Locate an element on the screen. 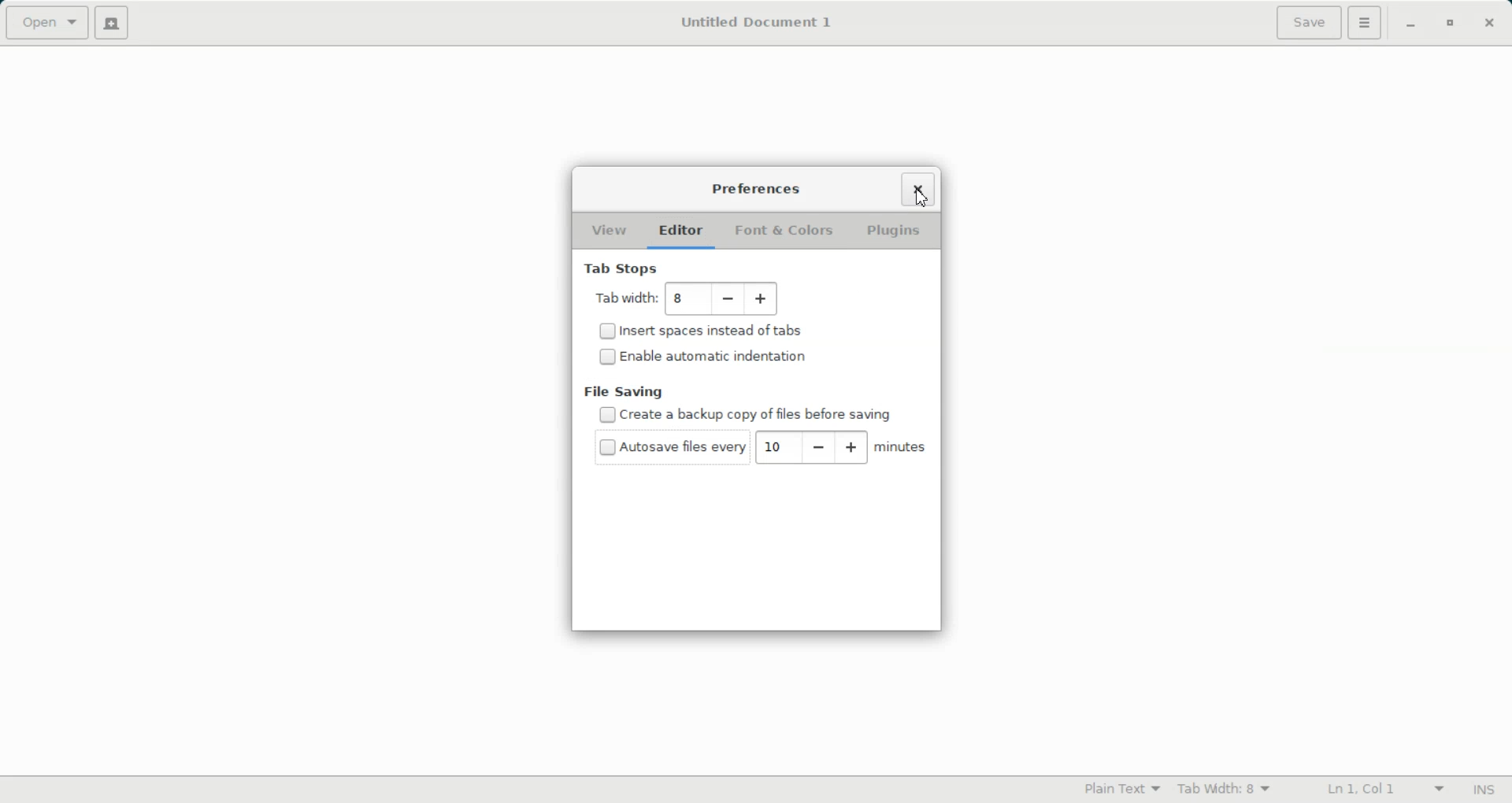  Open a file is located at coordinates (47, 23).